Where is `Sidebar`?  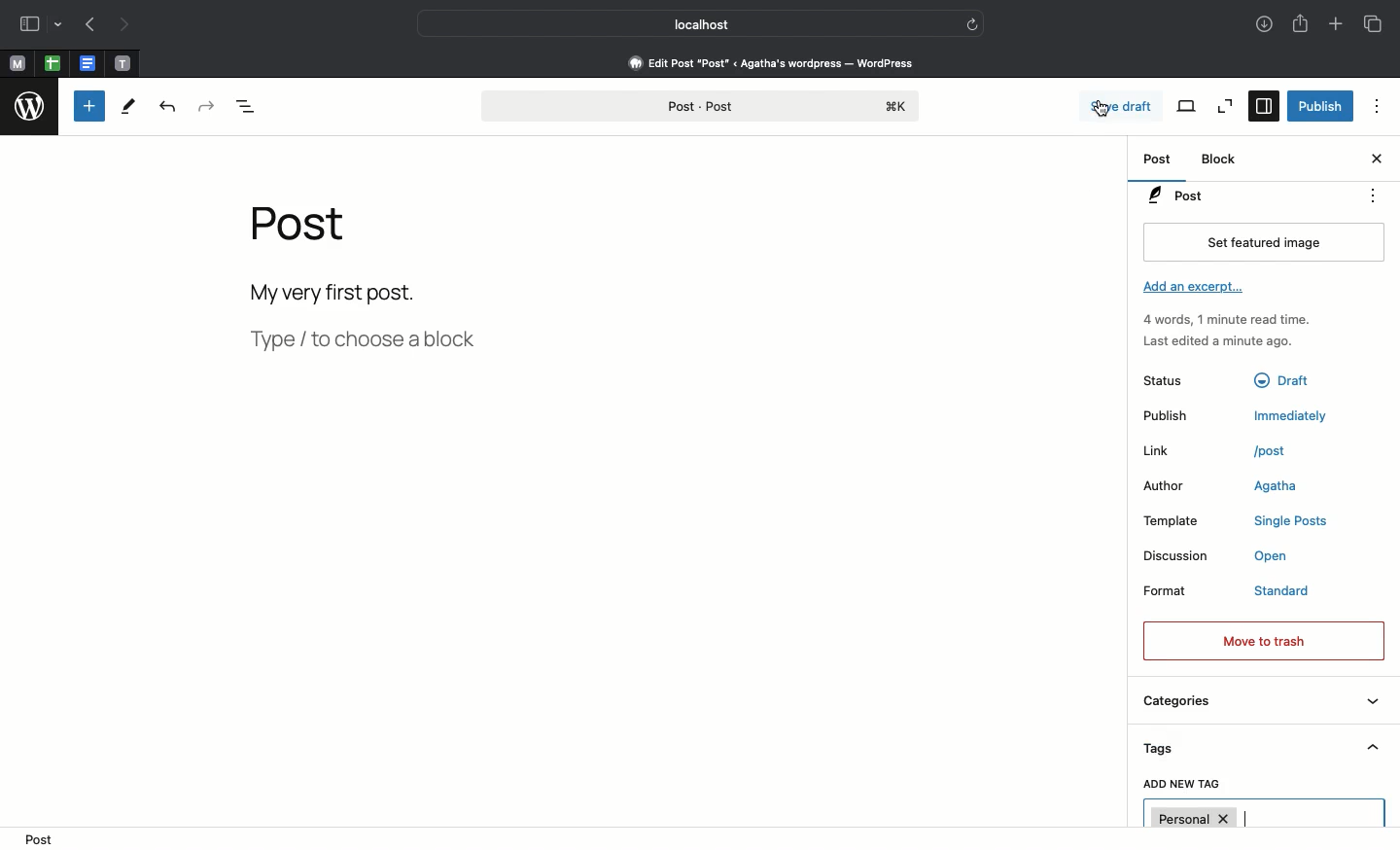
Sidebar is located at coordinates (30, 25).